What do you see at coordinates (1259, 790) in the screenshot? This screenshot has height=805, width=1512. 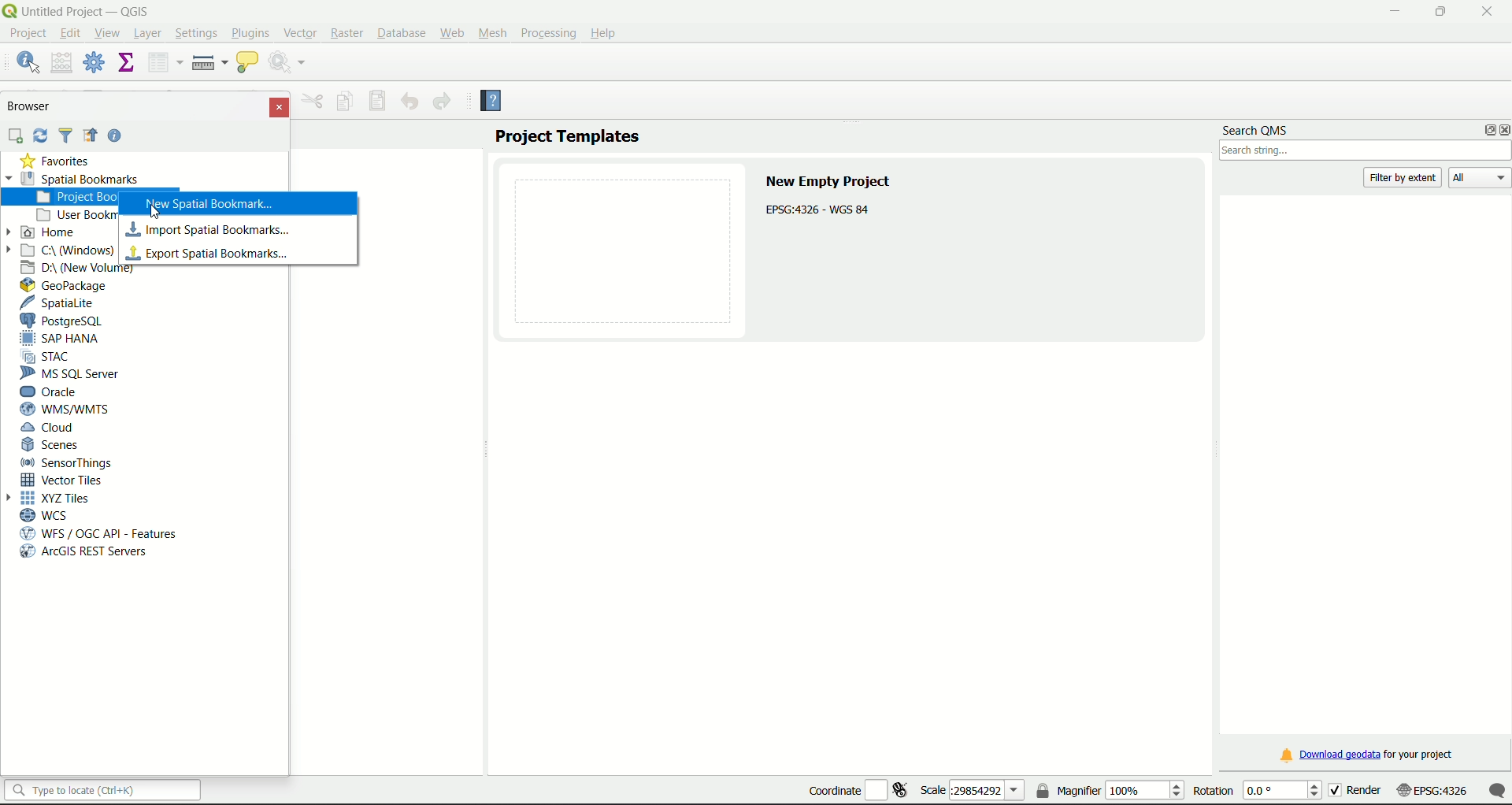 I see `rotation` at bounding box center [1259, 790].